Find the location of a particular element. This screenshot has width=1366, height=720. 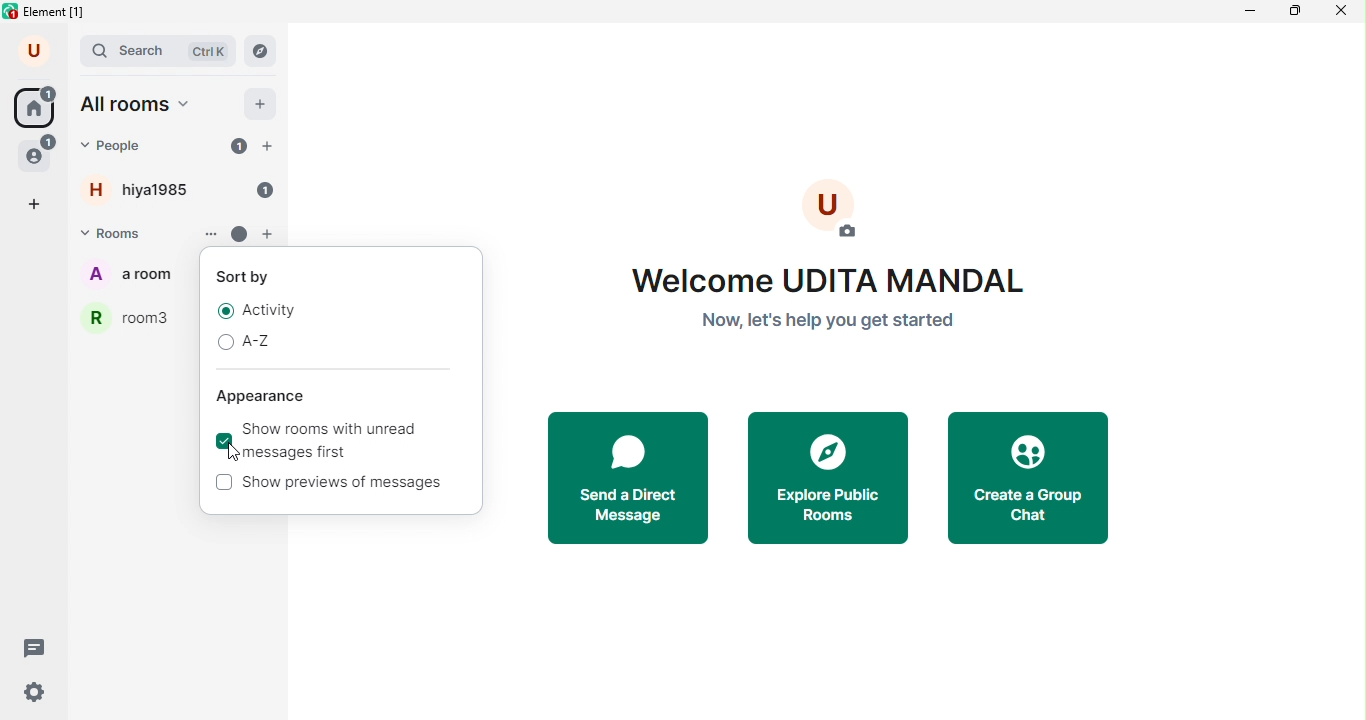

options is located at coordinates (207, 233).